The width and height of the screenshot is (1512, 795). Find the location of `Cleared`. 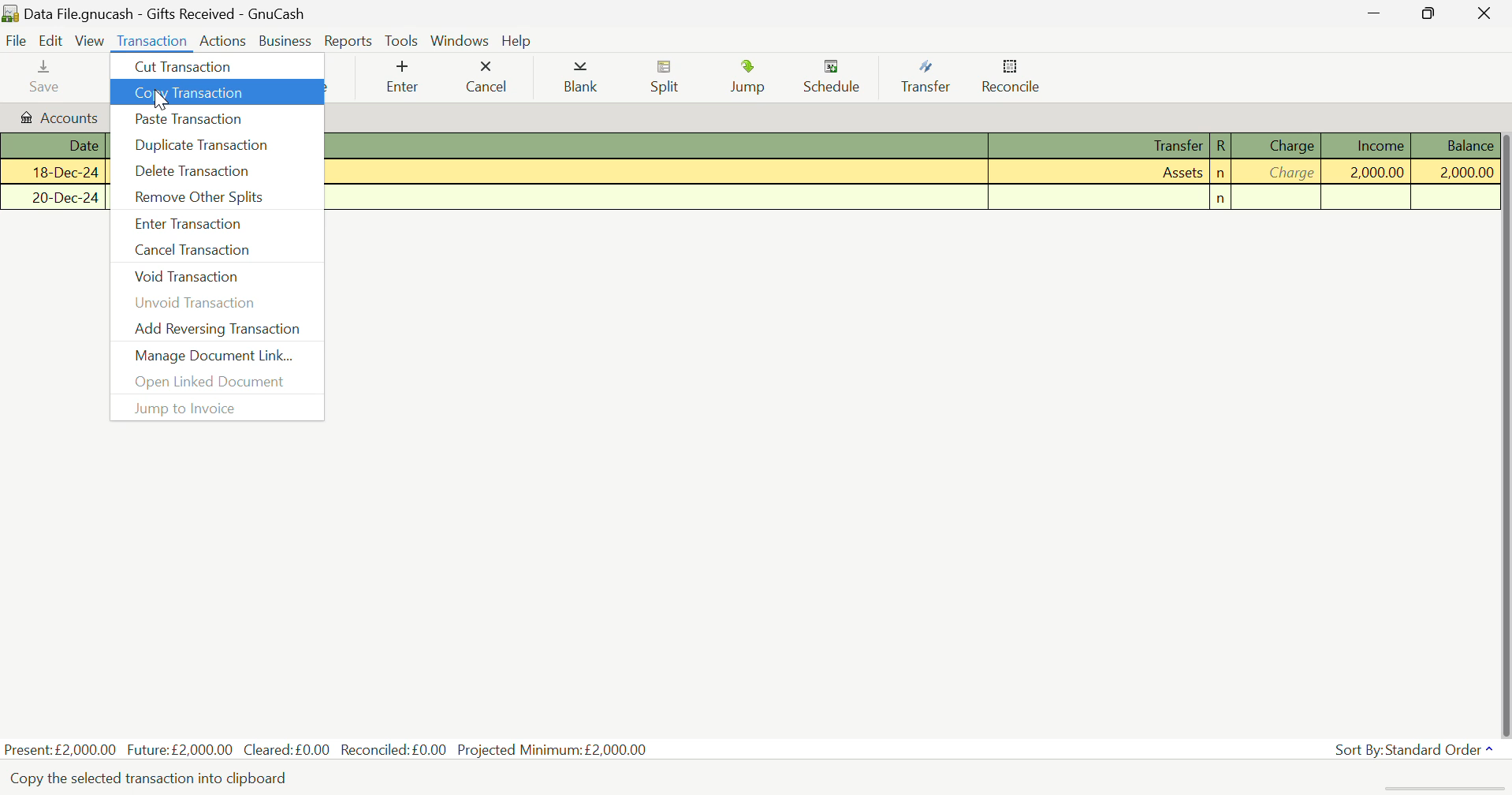

Cleared is located at coordinates (291, 749).